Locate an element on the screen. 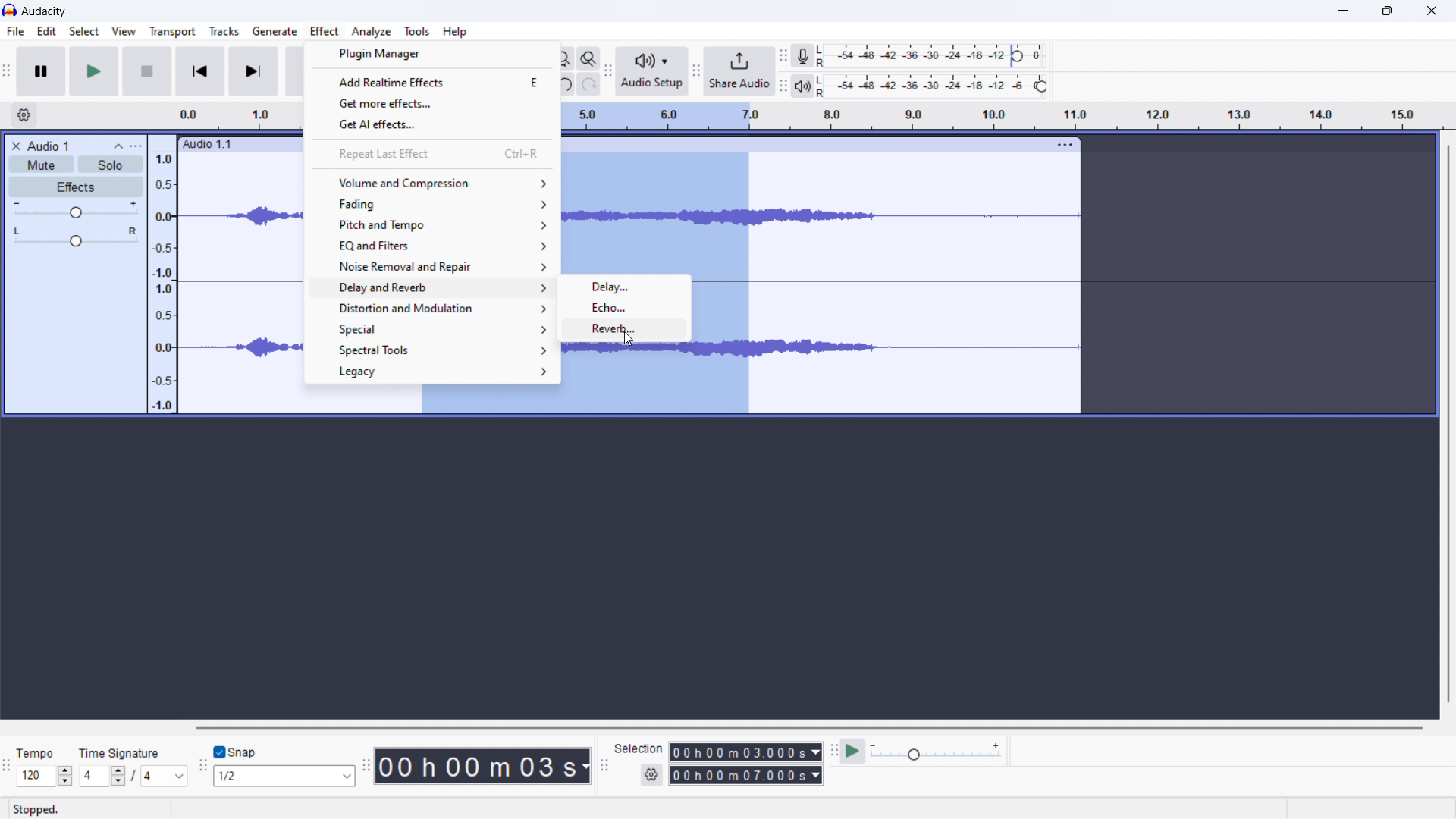 Image resolution: width=1456 pixels, height=819 pixels. effects is located at coordinates (75, 187).